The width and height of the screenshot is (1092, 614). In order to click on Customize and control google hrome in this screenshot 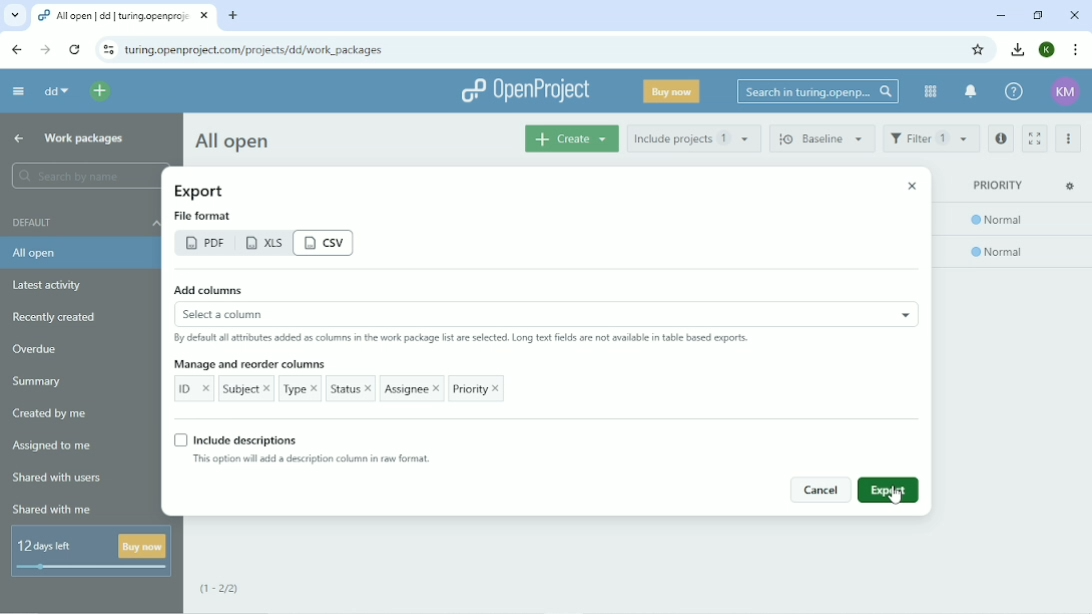, I will do `click(1074, 50)`.